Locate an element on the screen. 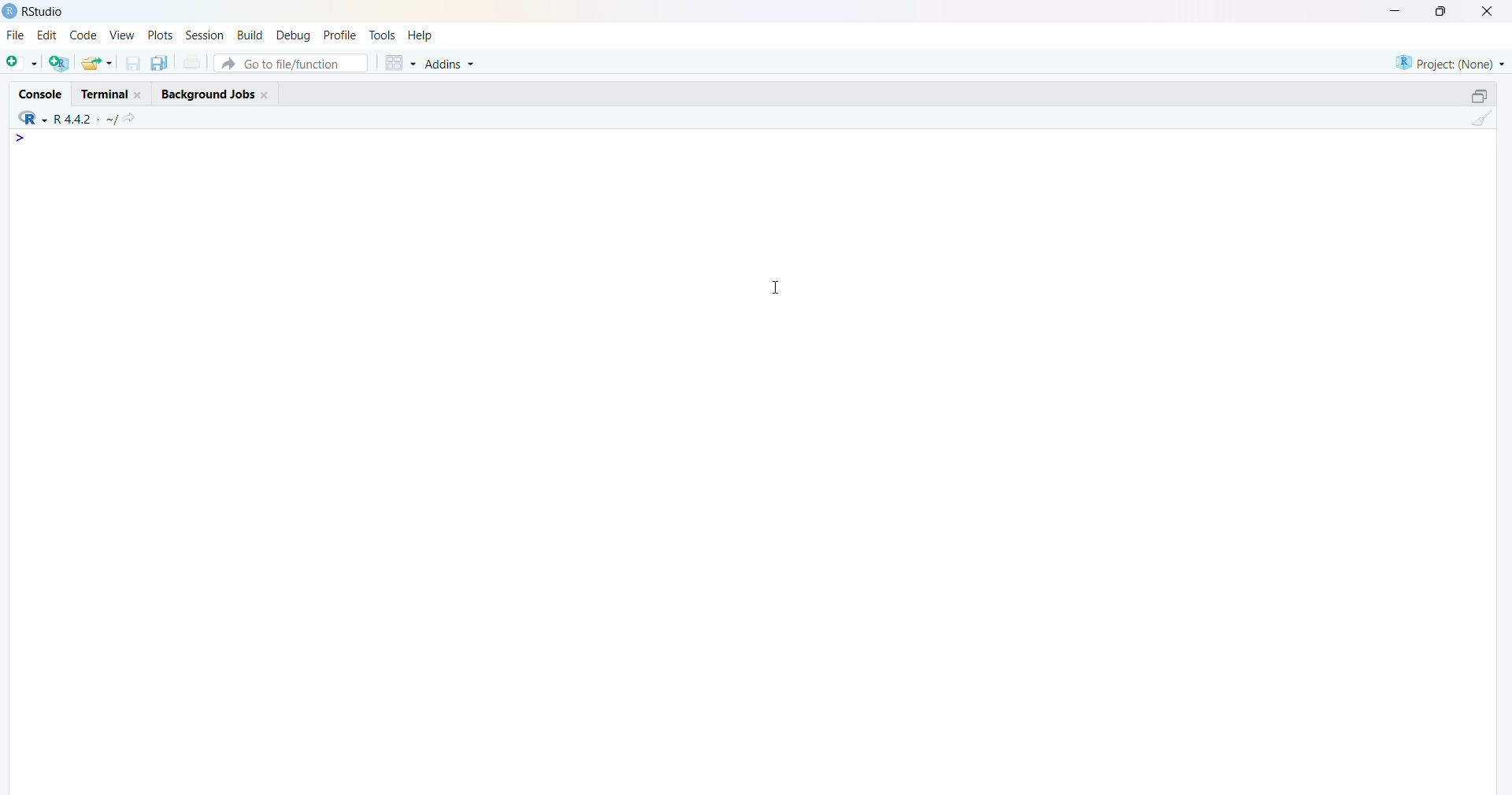  close is located at coordinates (140, 95).